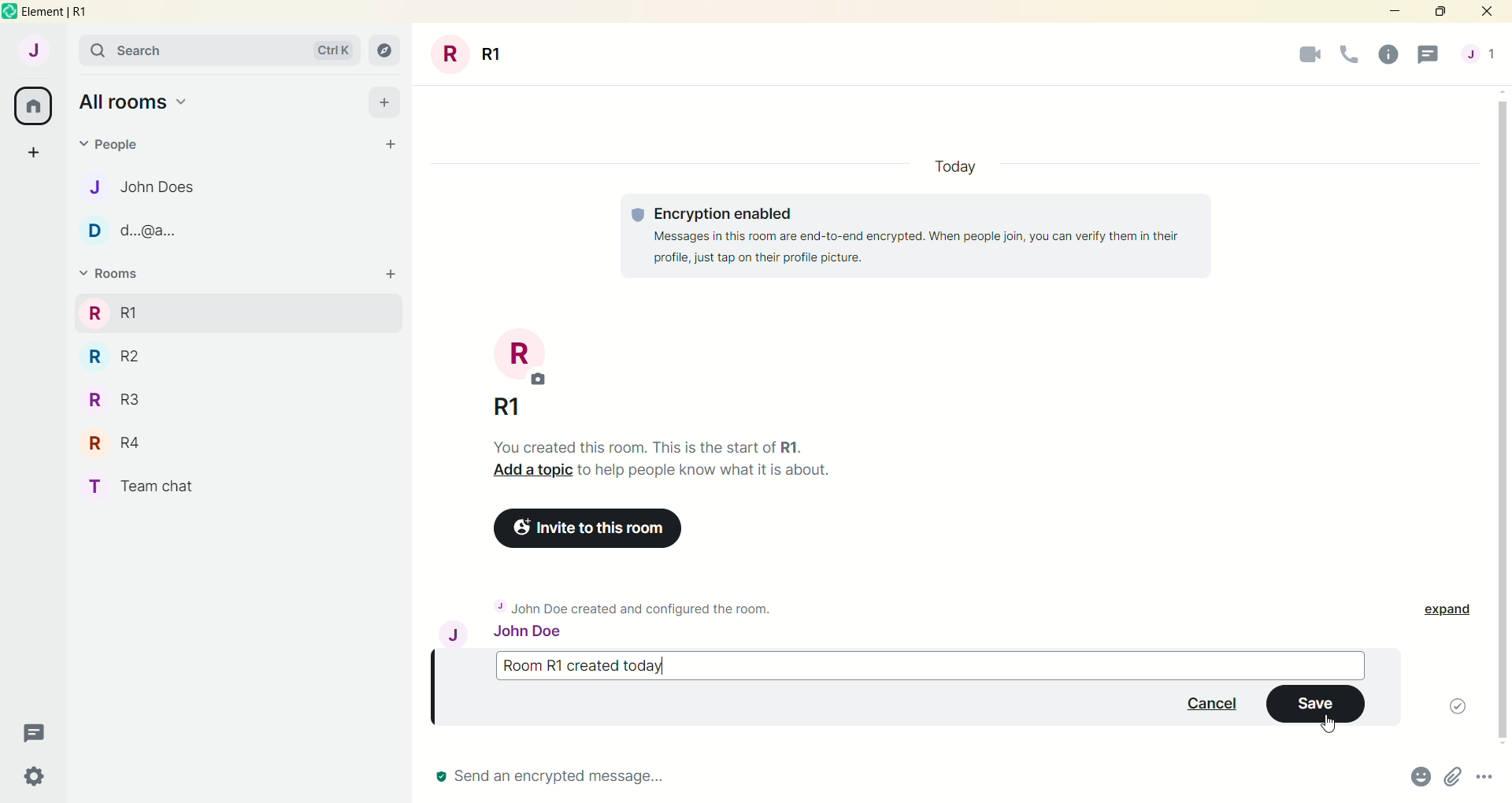 The image size is (1512, 803). What do you see at coordinates (1448, 707) in the screenshot?
I see `message sent` at bounding box center [1448, 707].